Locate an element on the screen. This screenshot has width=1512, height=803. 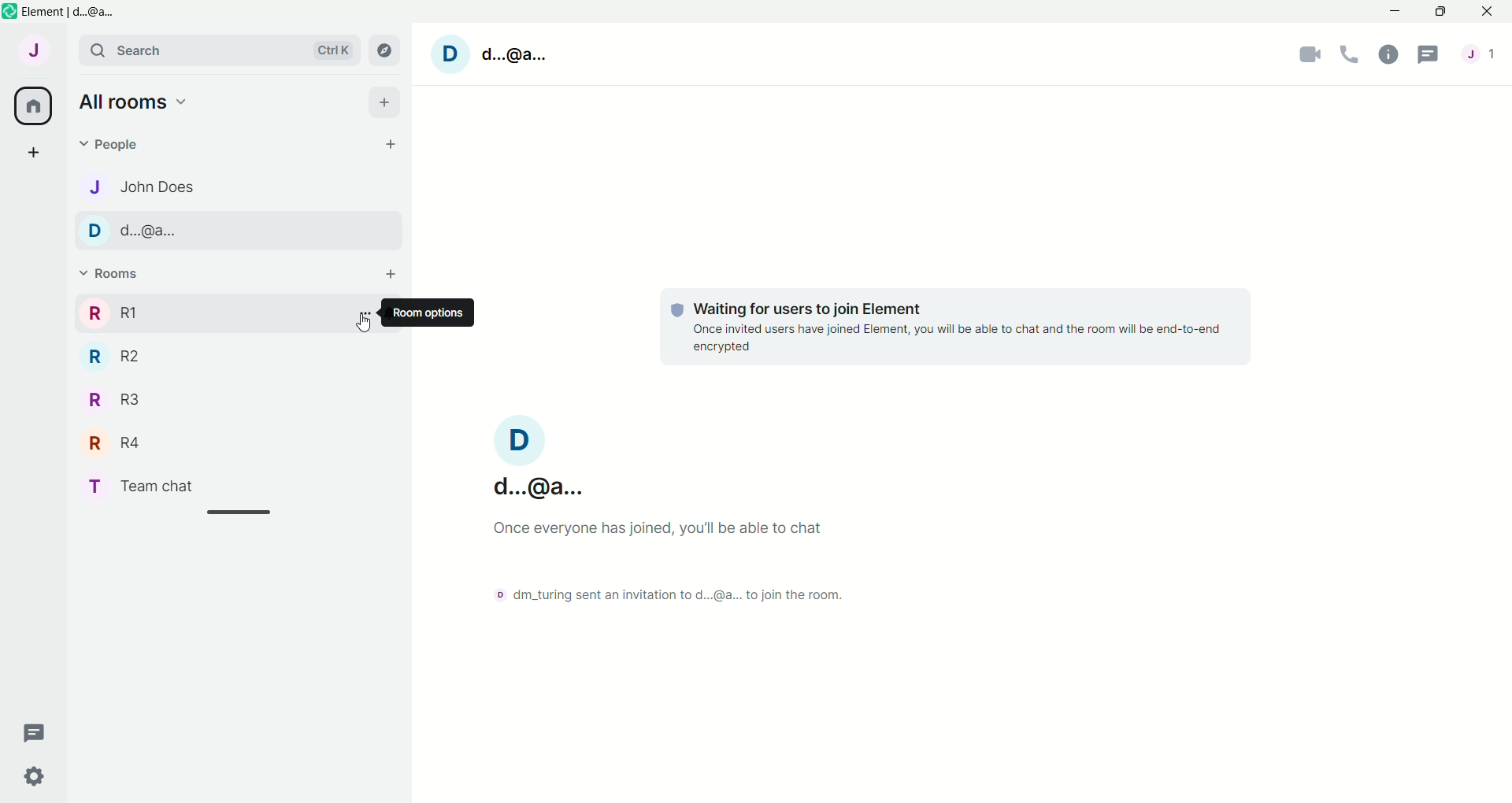
Close  is located at coordinates (1490, 12).